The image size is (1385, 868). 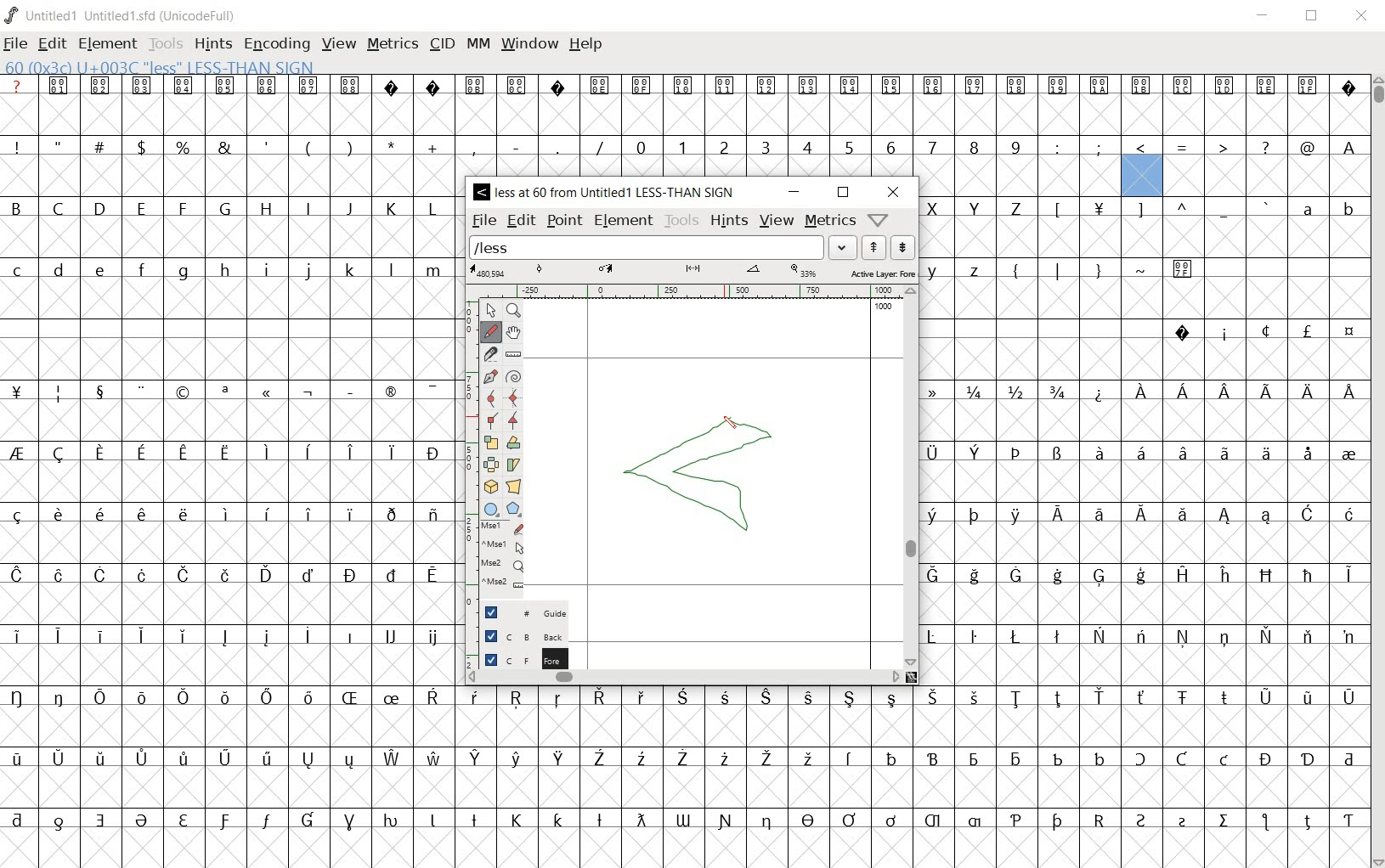 I want to click on empty cells, so click(x=682, y=846).